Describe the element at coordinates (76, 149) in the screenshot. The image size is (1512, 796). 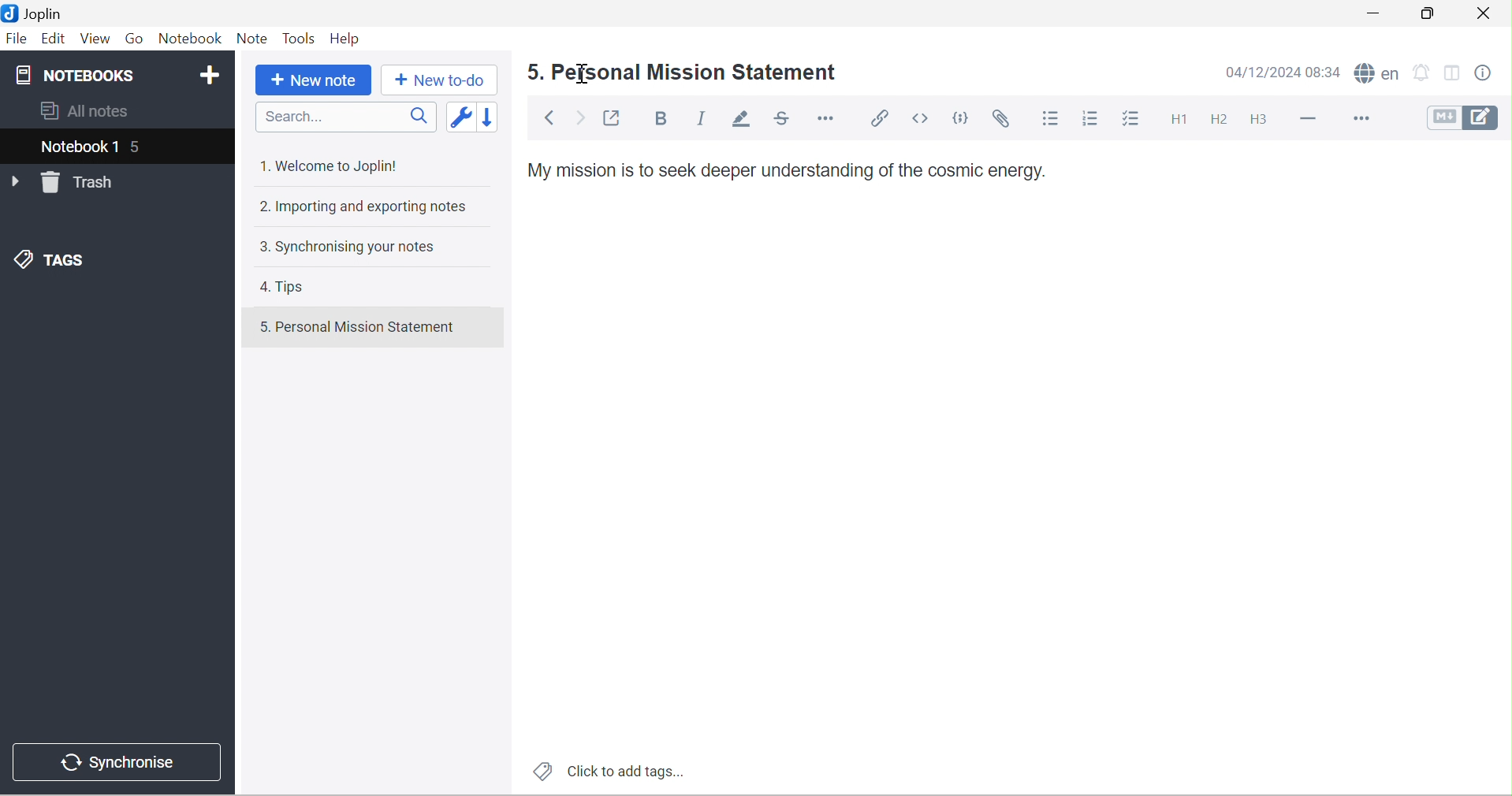
I see `Notebook 1` at that location.